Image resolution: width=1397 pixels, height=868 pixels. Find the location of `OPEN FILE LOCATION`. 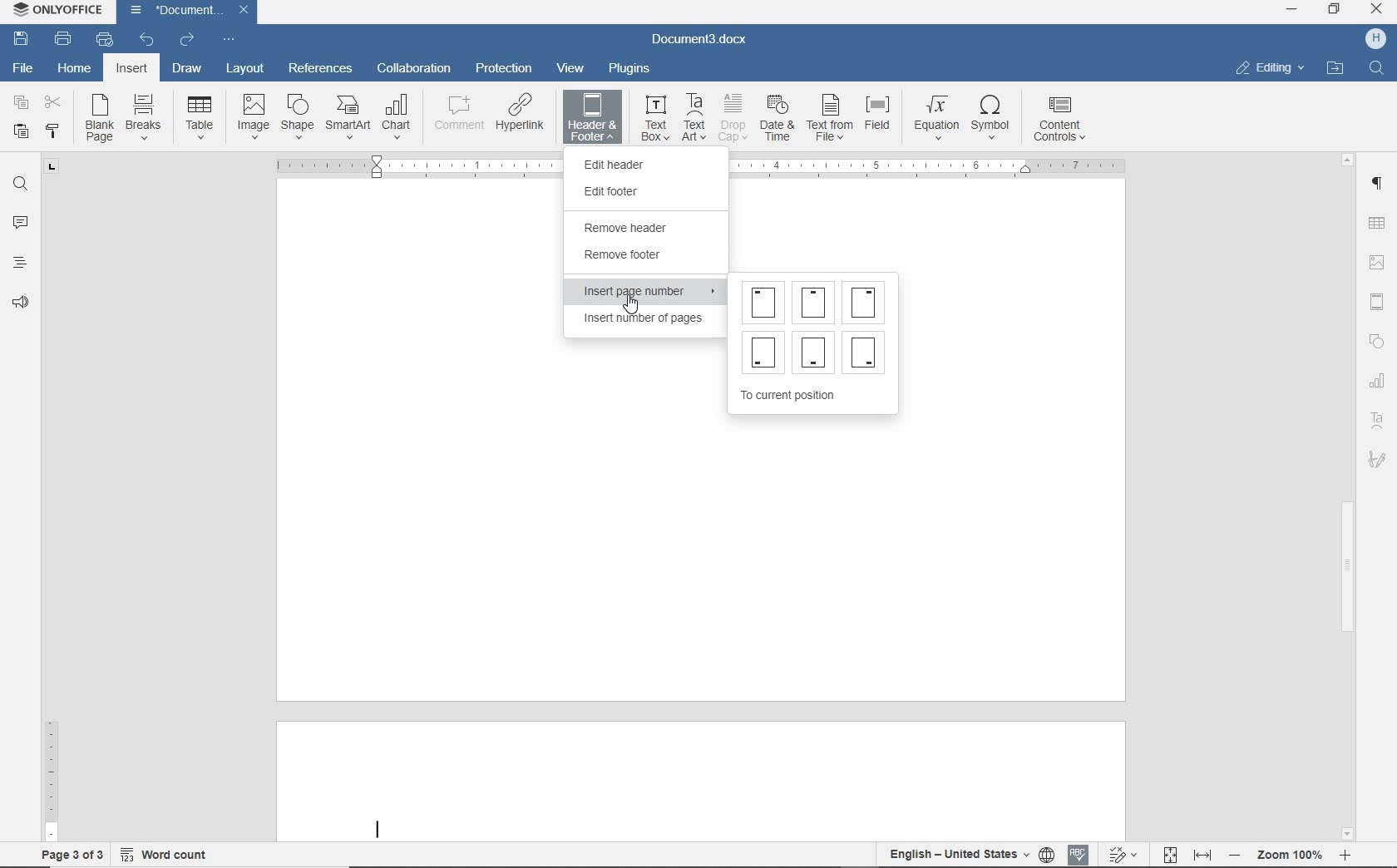

OPEN FILE LOCATION is located at coordinates (1336, 70).